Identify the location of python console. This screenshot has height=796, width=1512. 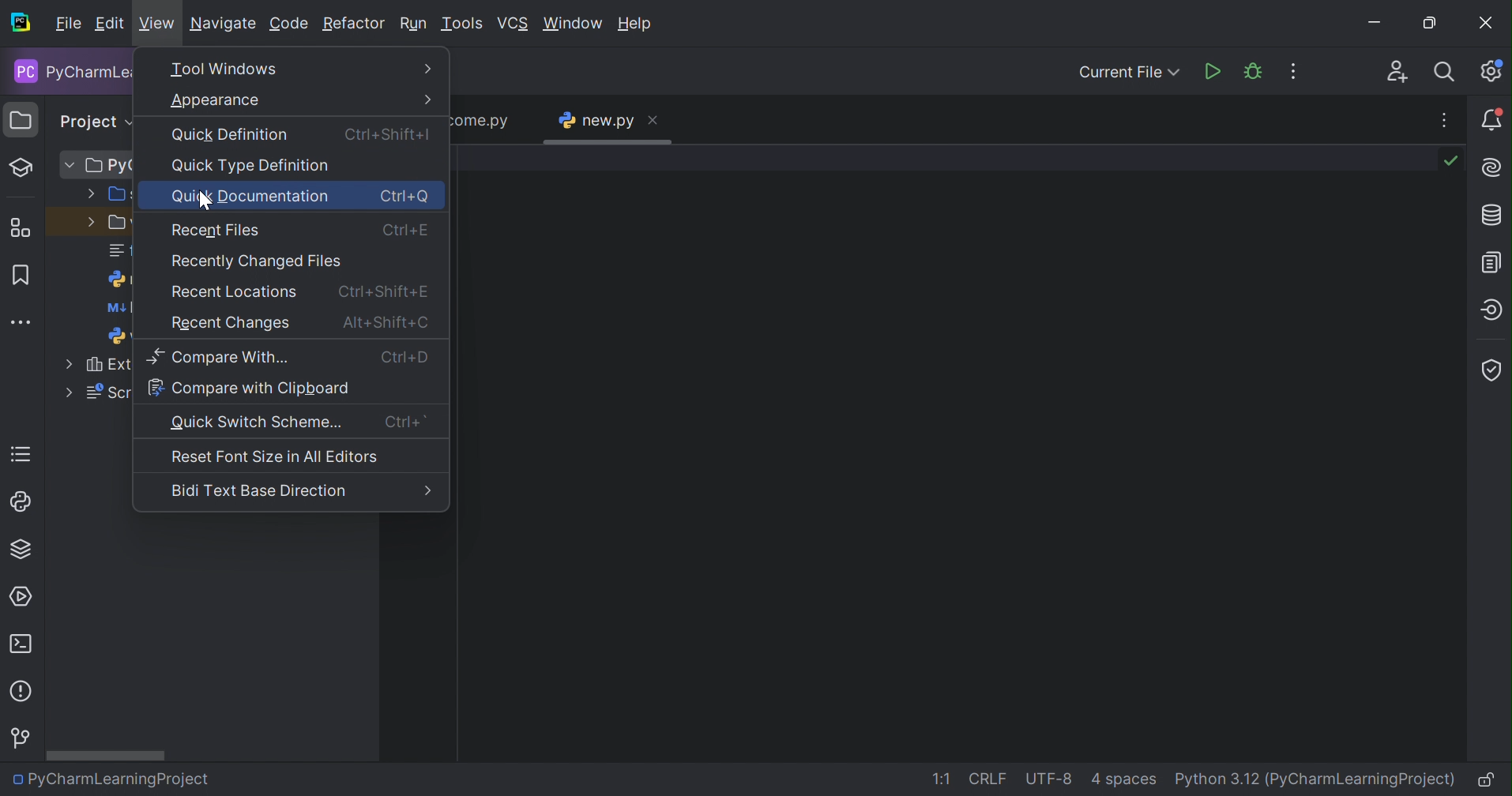
(21, 502).